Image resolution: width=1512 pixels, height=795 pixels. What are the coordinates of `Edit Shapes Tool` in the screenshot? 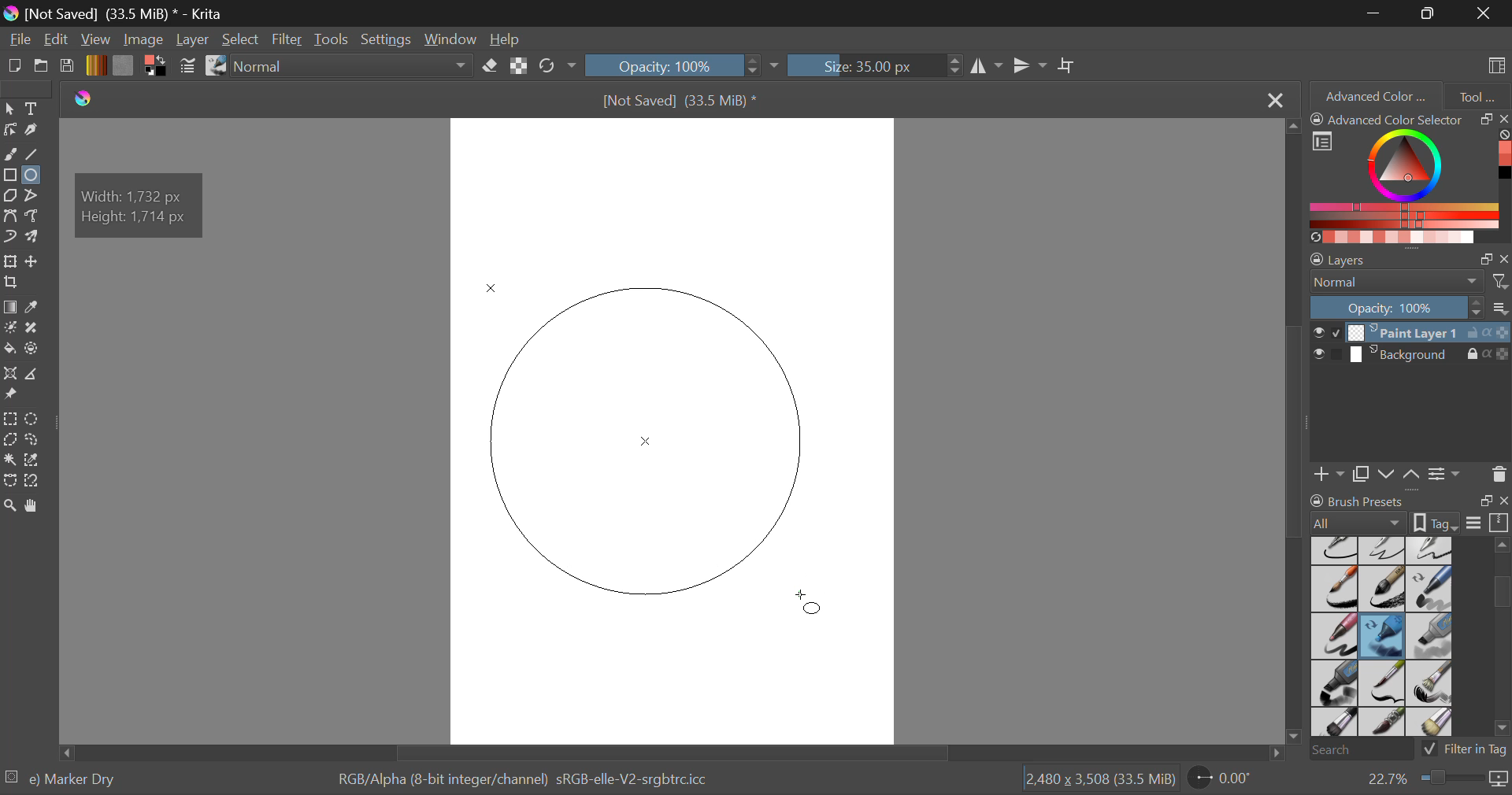 It's located at (9, 130).